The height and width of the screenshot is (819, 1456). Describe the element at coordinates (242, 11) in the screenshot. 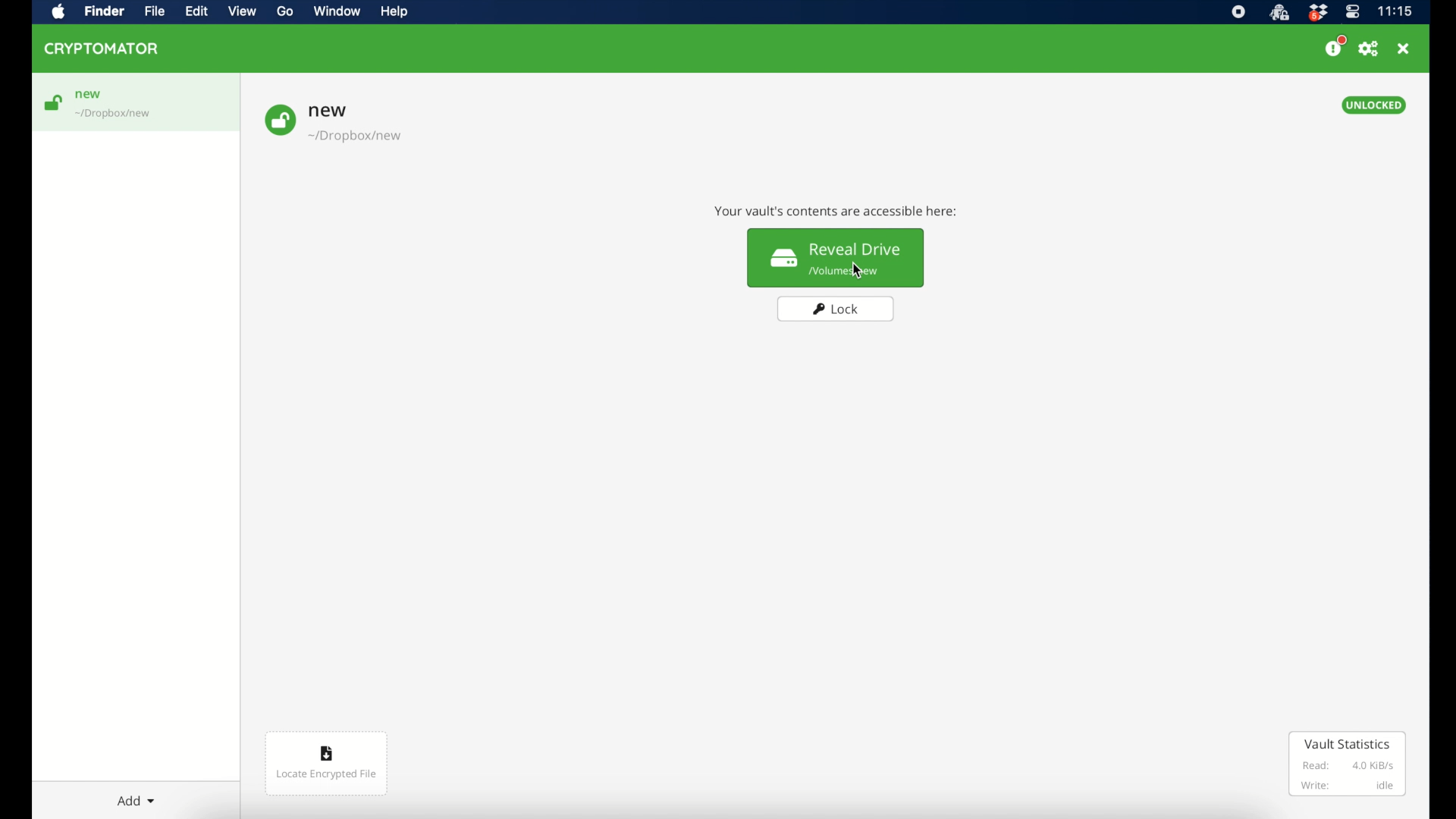

I see `view` at that location.